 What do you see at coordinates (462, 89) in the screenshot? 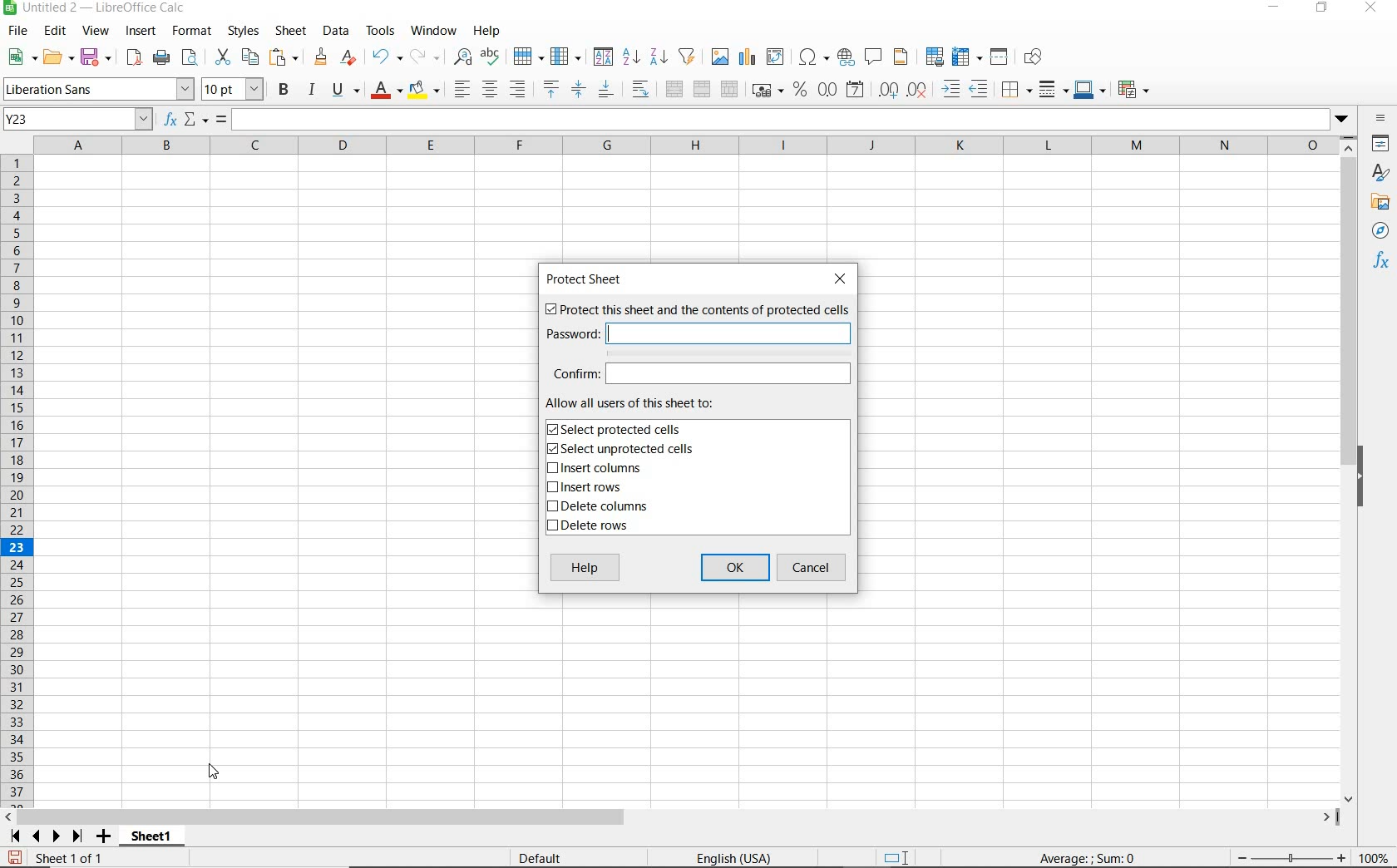
I see `ALIGN LEFT` at bounding box center [462, 89].